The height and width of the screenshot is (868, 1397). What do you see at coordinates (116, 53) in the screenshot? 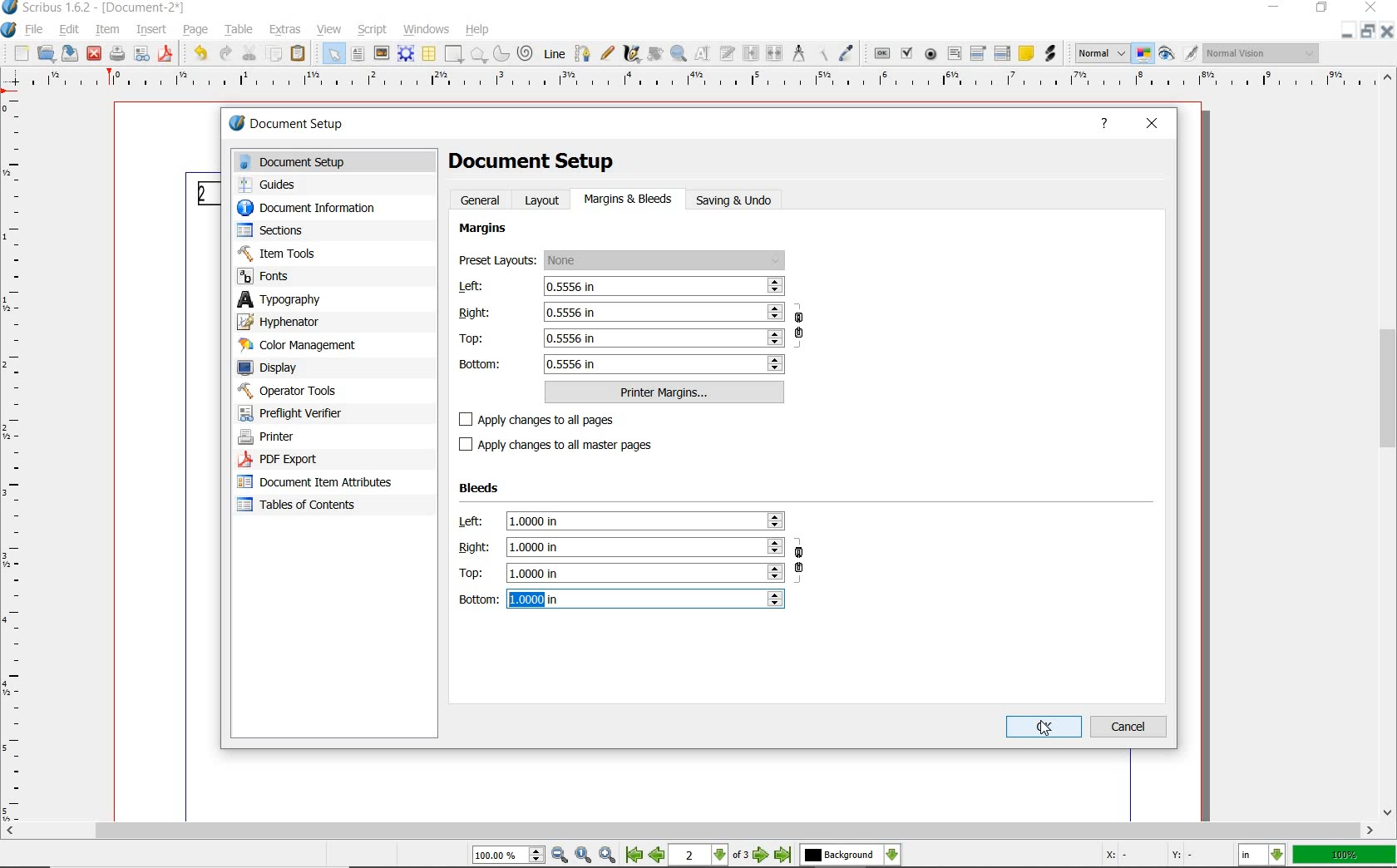
I see `print` at bounding box center [116, 53].